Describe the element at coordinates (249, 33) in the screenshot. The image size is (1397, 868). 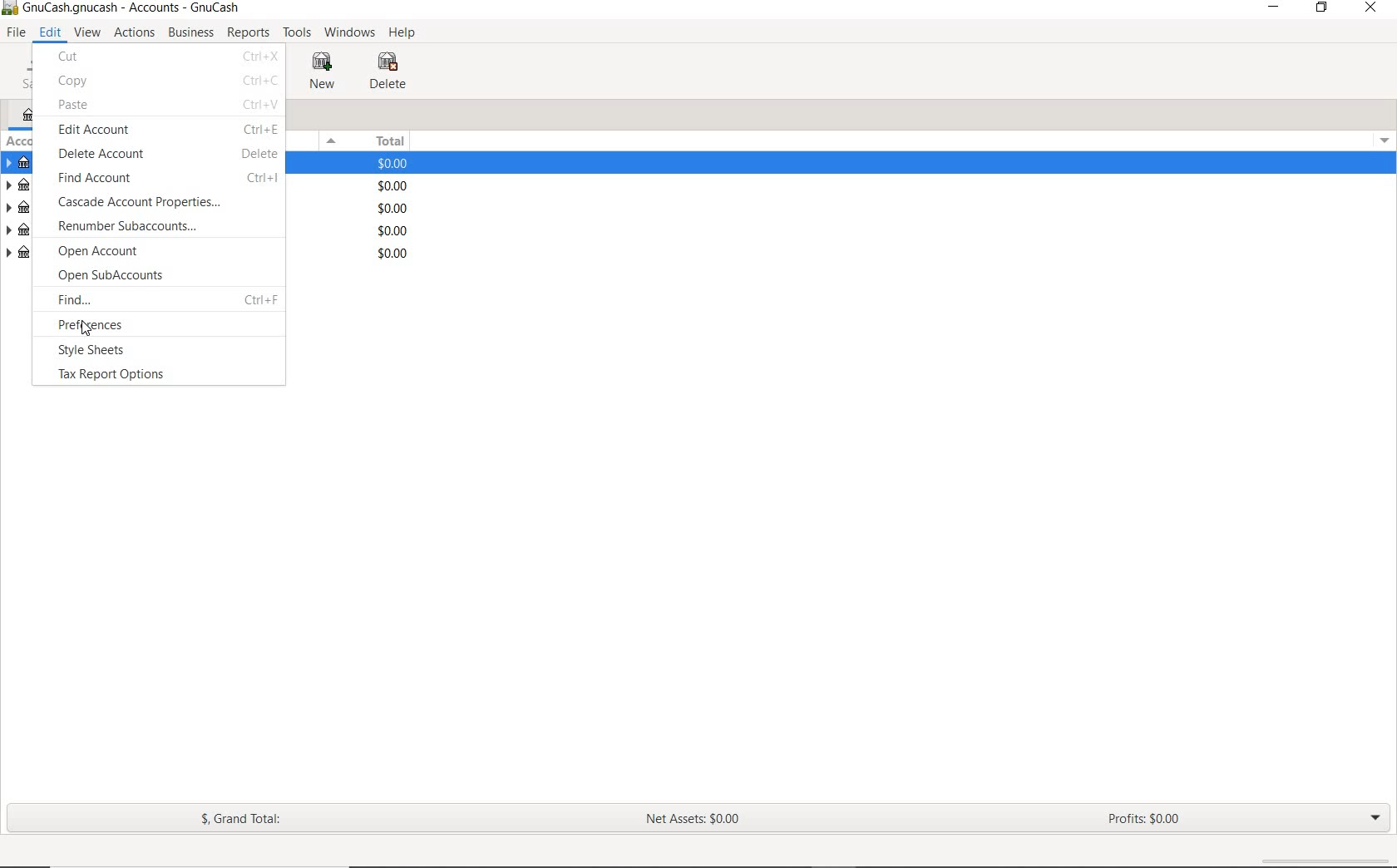
I see `REPORTS` at that location.